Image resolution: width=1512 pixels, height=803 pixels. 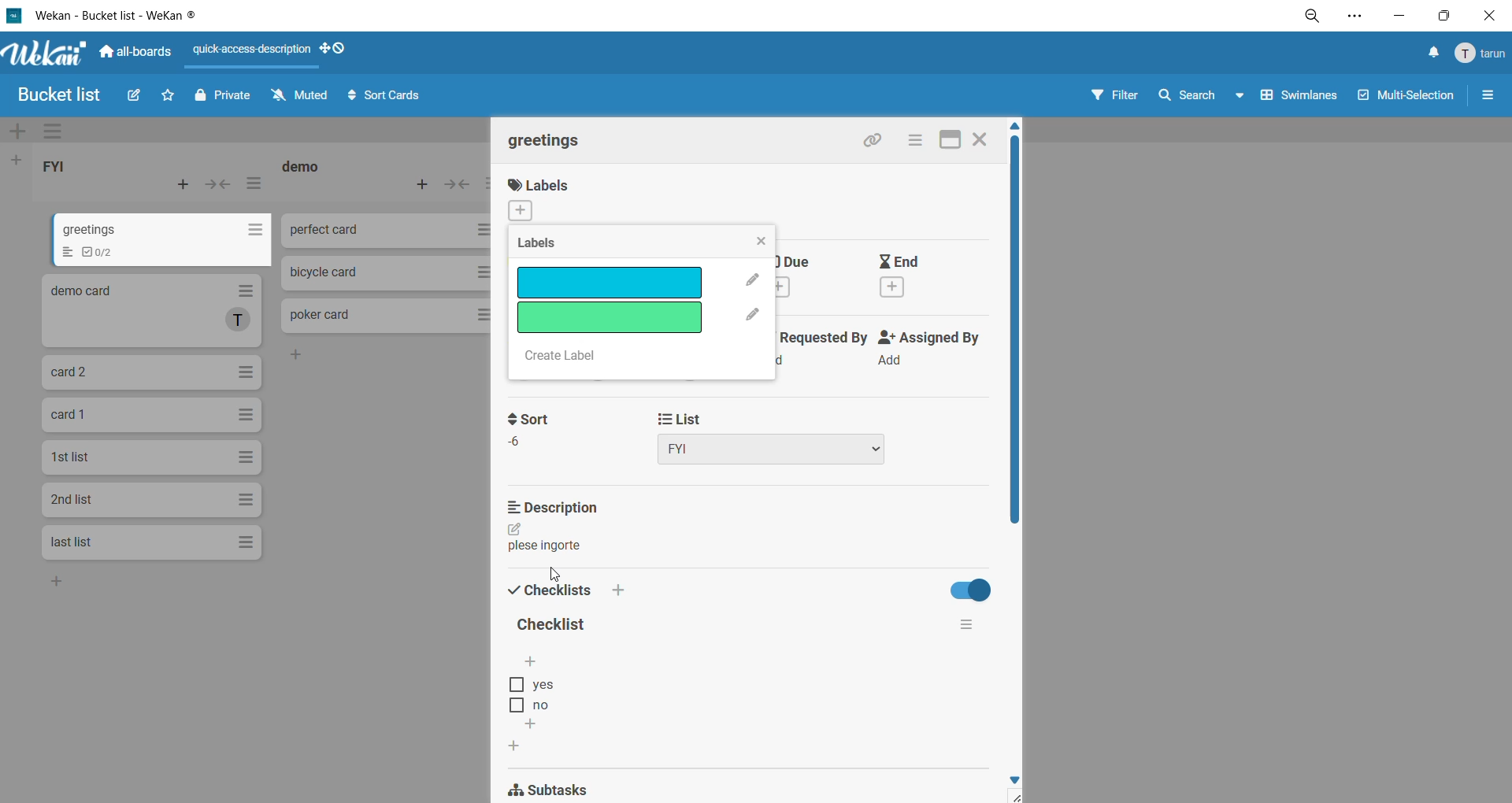 What do you see at coordinates (971, 590) in the screenshot?
I see `hide completed checklist` at bounding box center [971, 590].